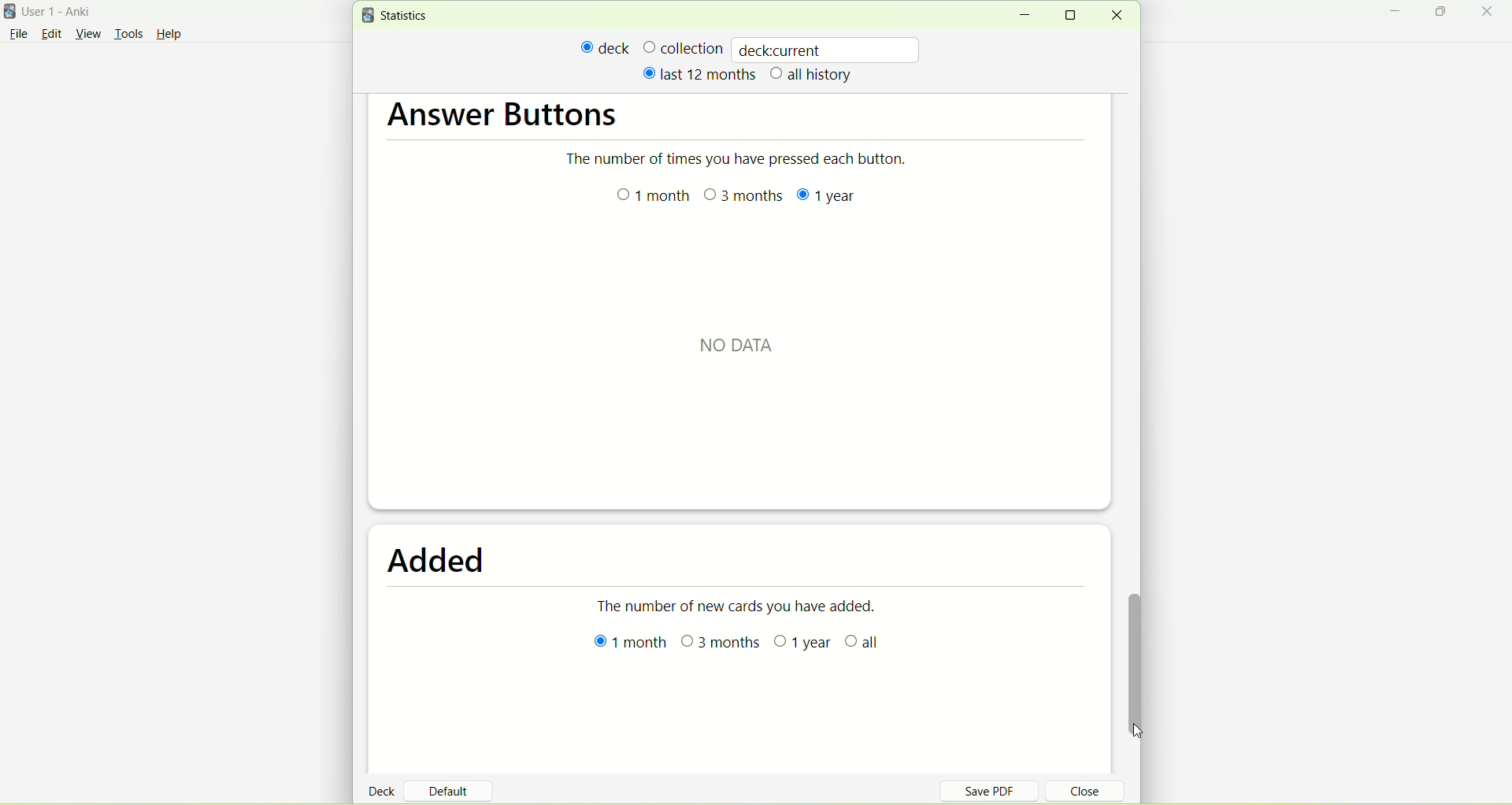 The image size is (1512, 805). What do you see at coordinates (1076, 793) in the screenshot?
I see `close` at bounding box center [1076, 793].